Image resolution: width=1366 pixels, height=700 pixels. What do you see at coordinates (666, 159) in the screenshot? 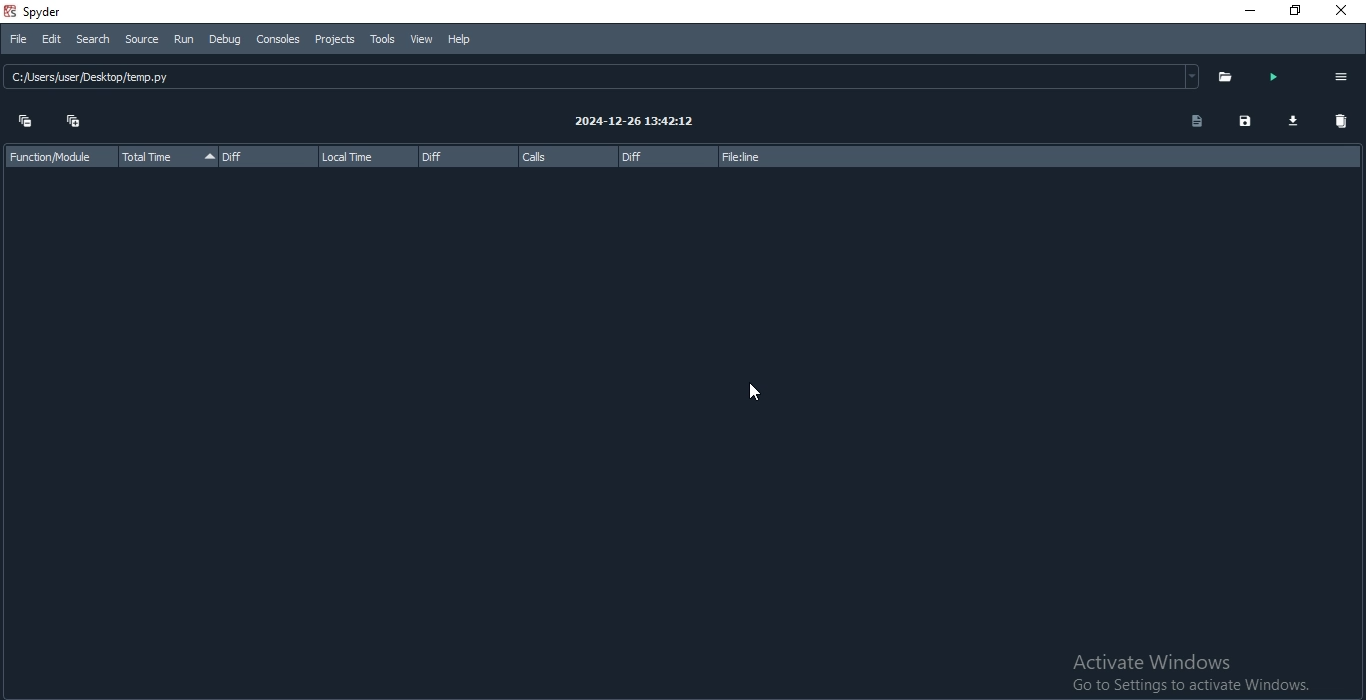
I see `diff` at bounding box center [666, 159].